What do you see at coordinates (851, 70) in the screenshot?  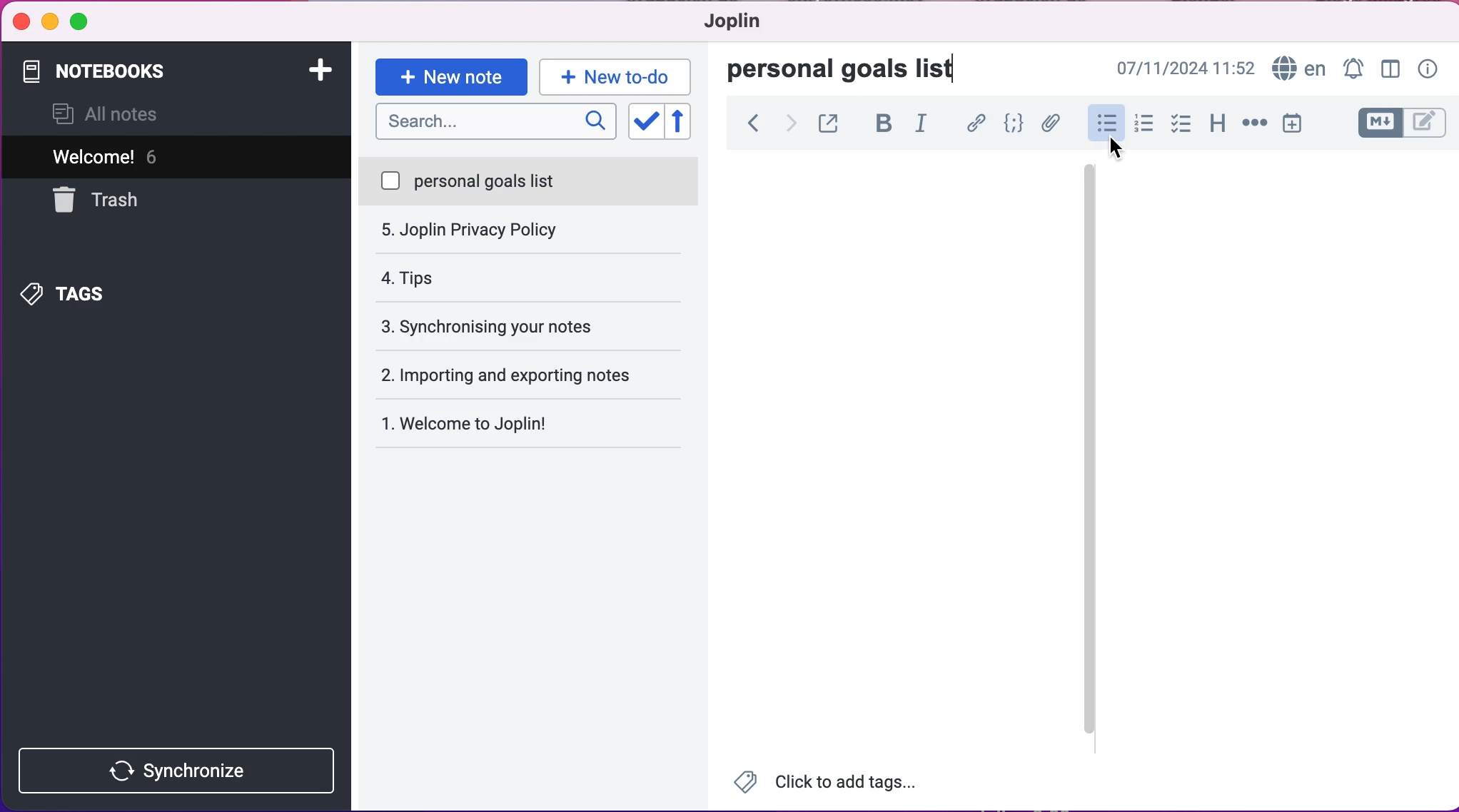 I see `personal goals list` at bounding box center [851, 70].